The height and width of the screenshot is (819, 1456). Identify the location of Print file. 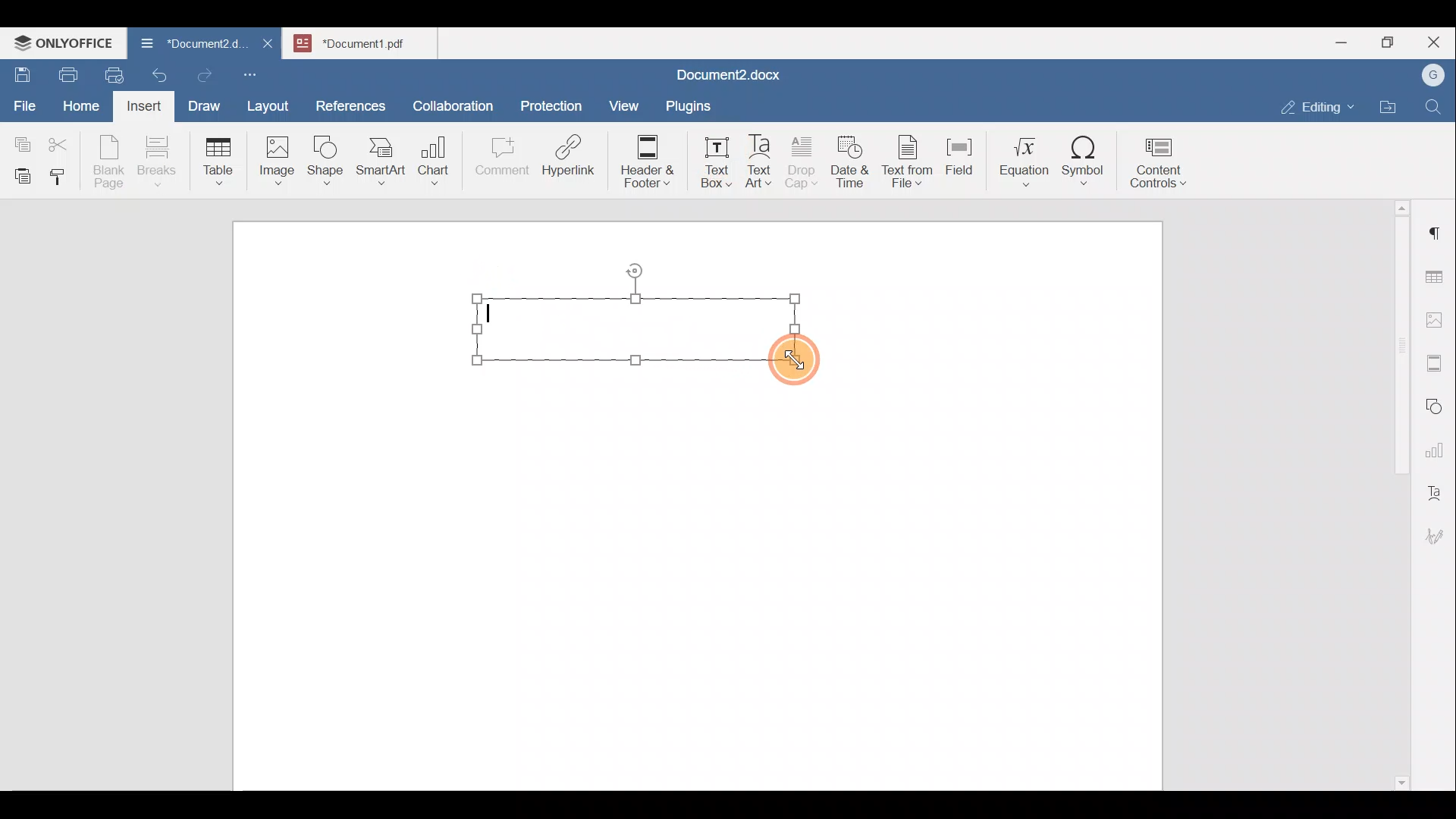
(65, 72).